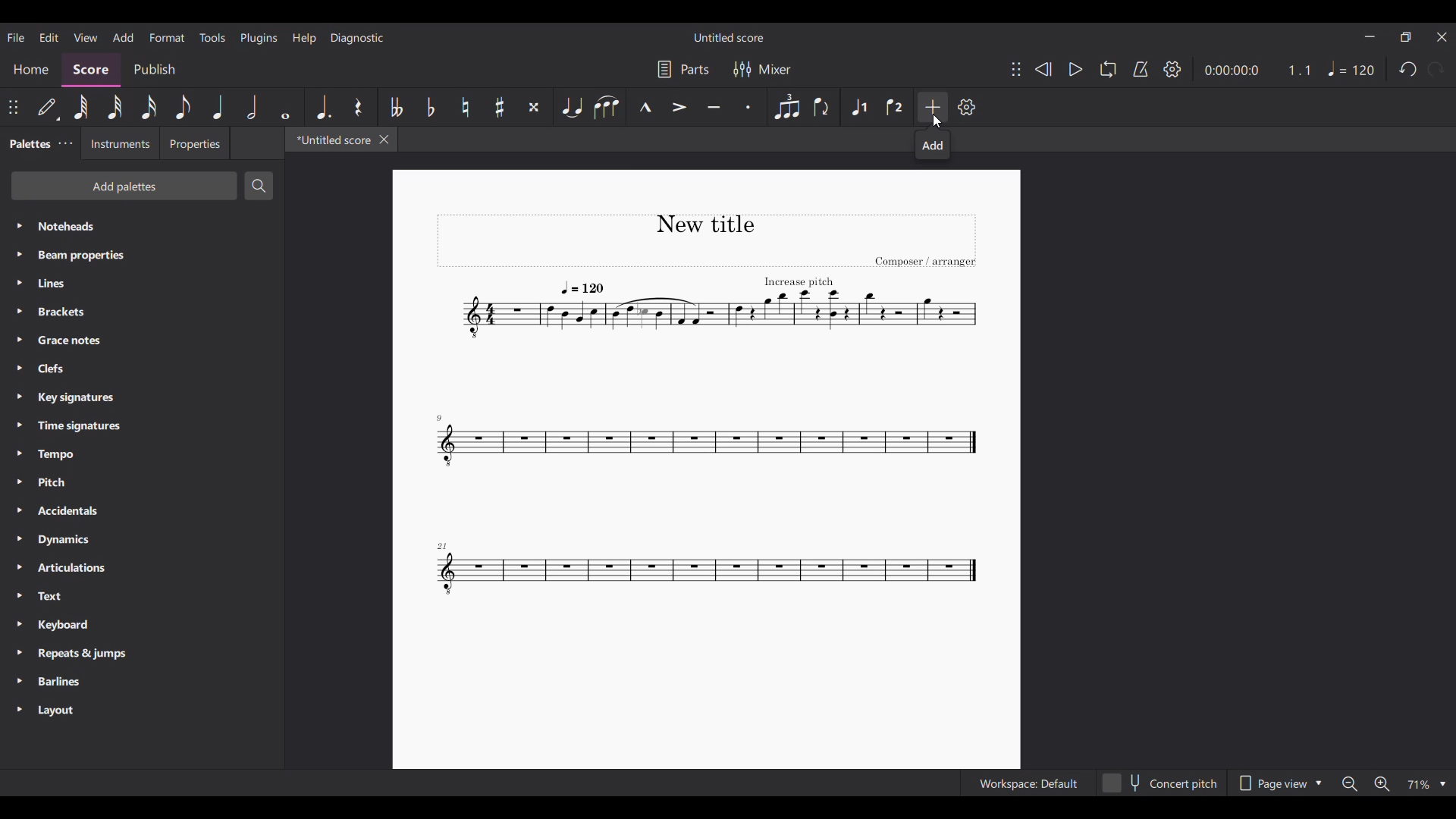 The width and height of the screenshot is (1456, 819). Describe the element at coordinates (933, 145) in the screenshot. I see `Add` at that location.